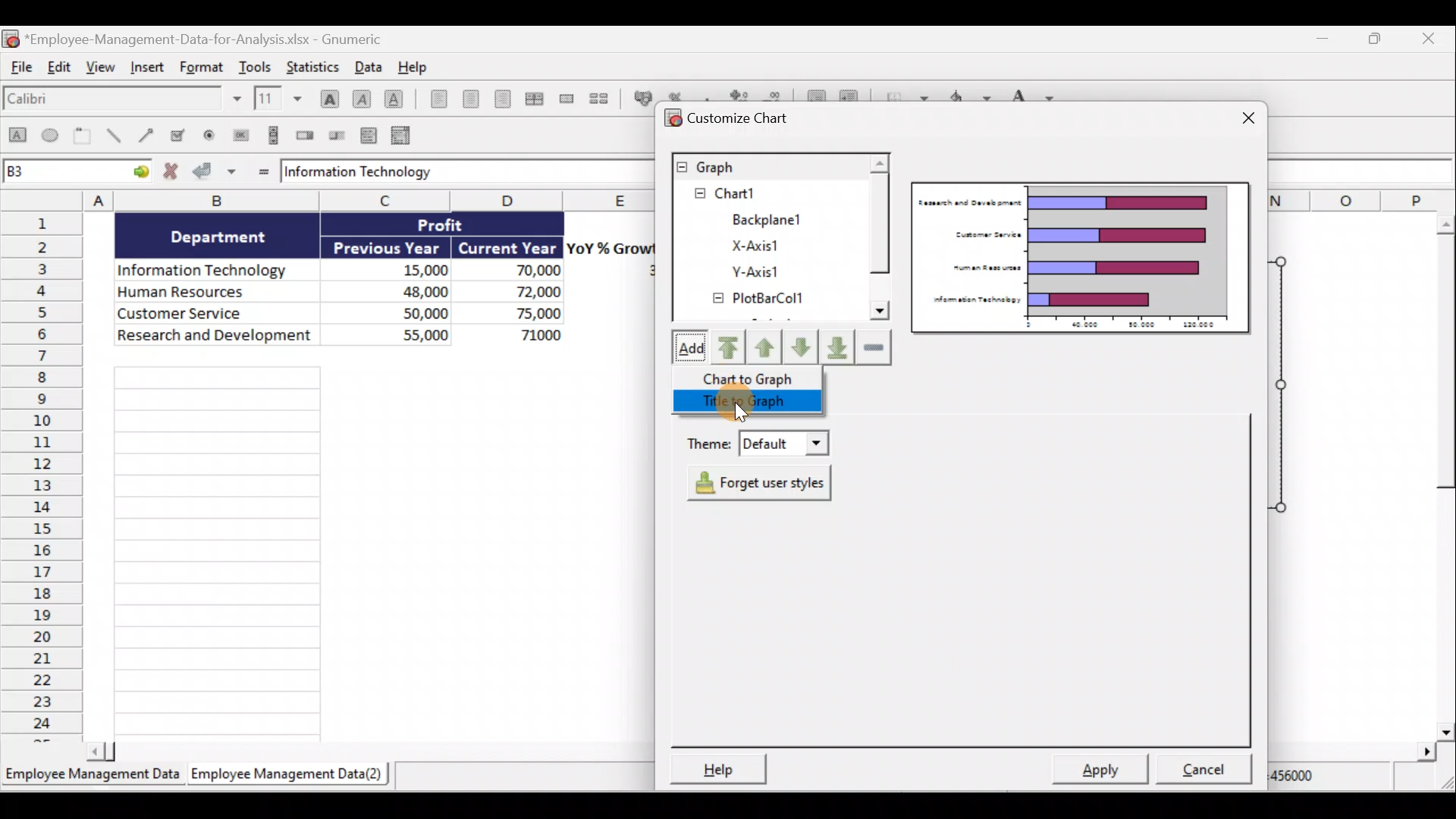 The width and height of the screenshot is (1456, 819). I want to click on Create a button, so click(240, 133).